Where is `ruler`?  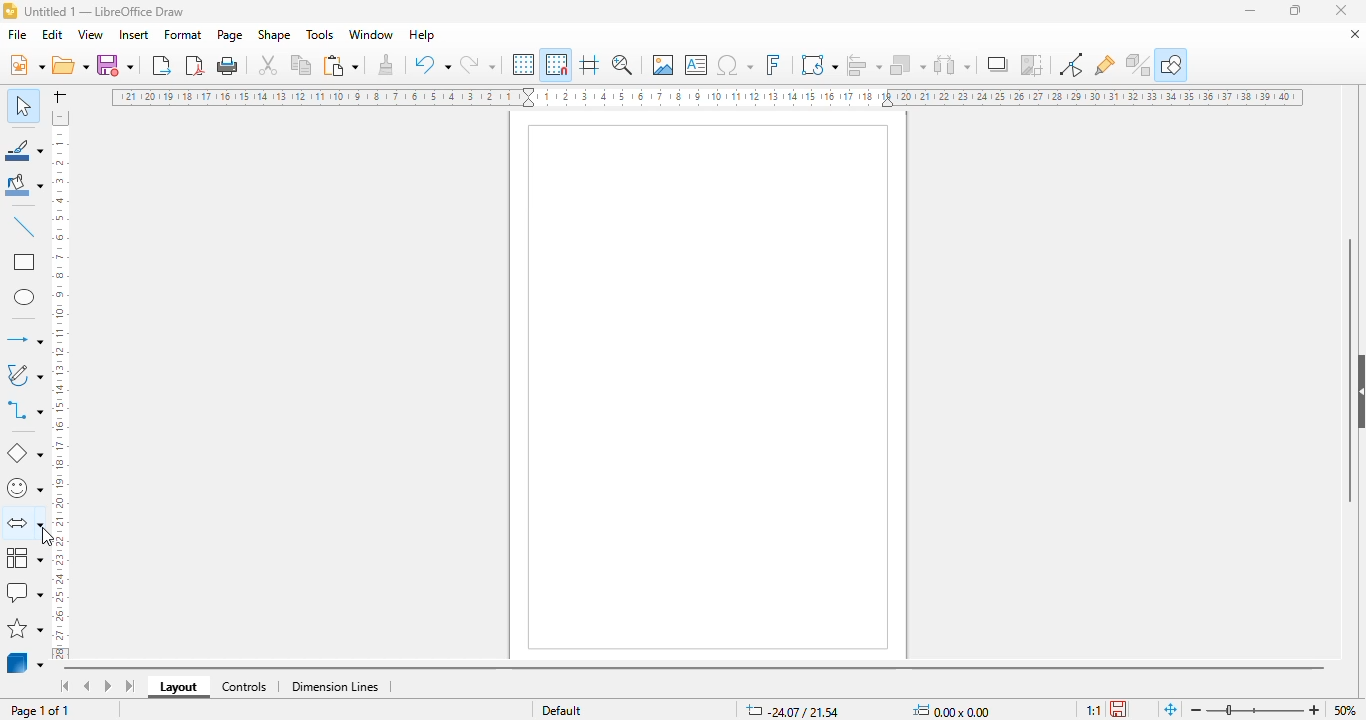
ruler is located at coordinates (59, 385).